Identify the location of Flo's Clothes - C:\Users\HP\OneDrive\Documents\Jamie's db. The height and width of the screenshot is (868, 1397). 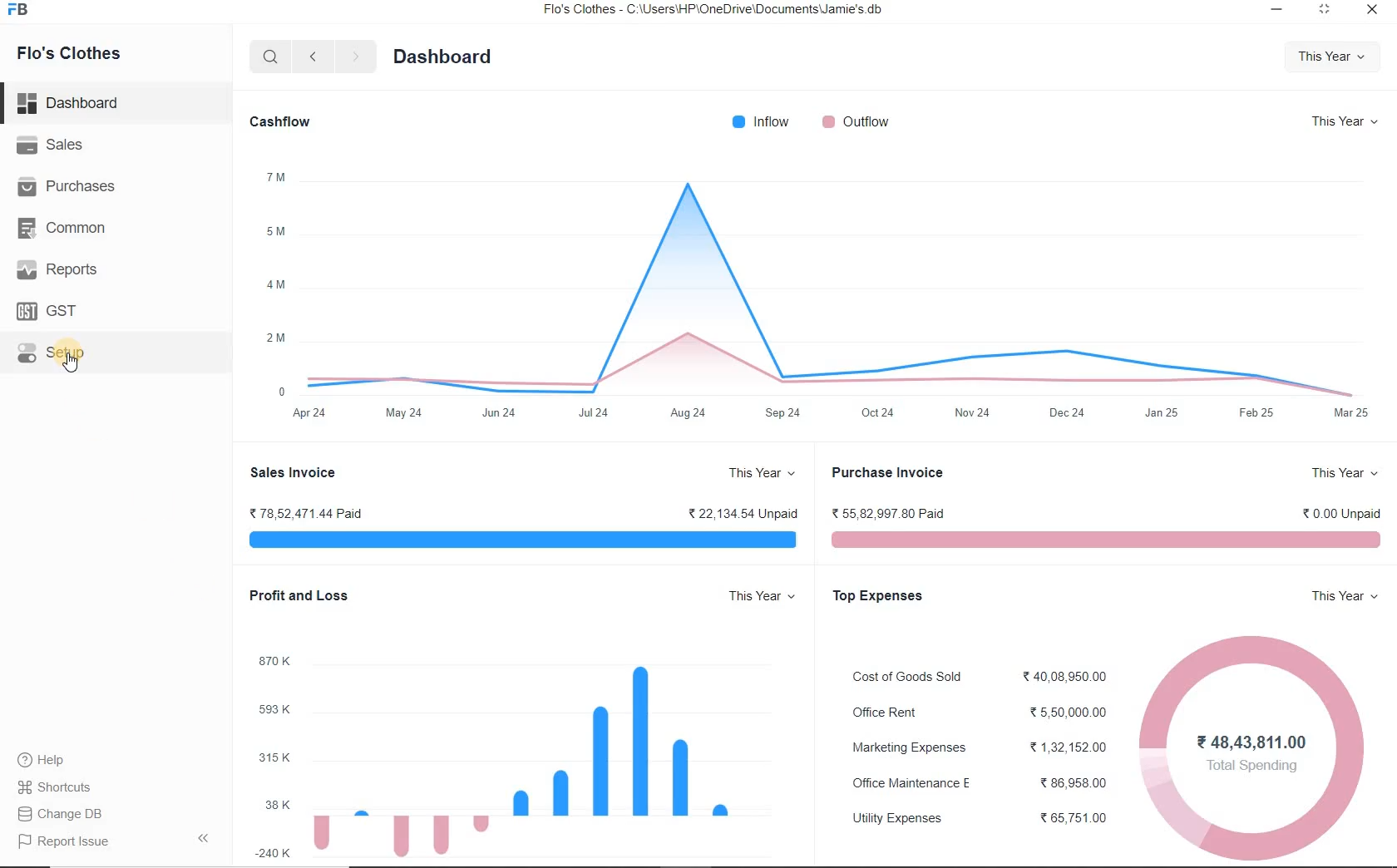
(718, 9).